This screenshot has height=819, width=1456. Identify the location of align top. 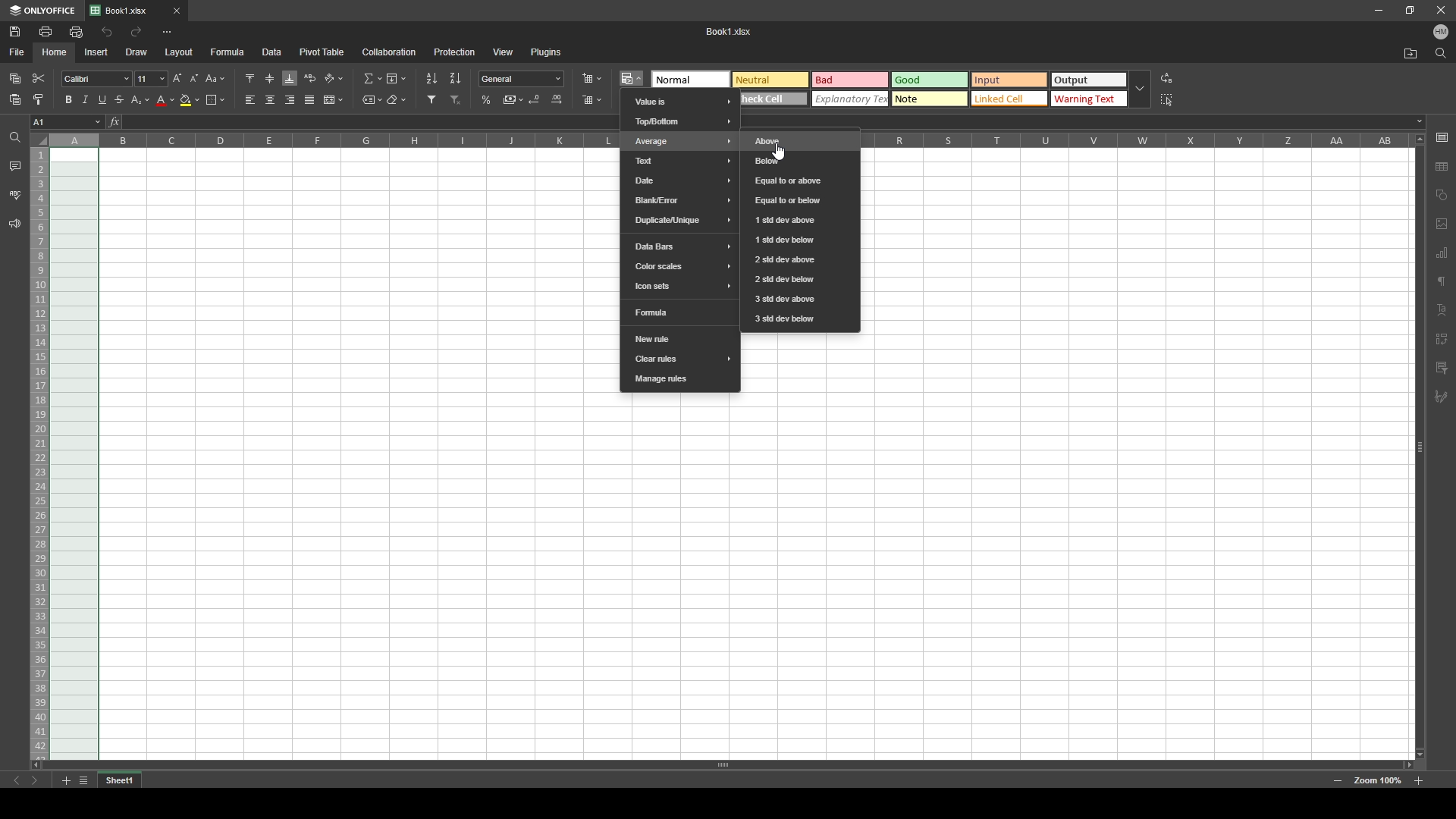
(250, 77).